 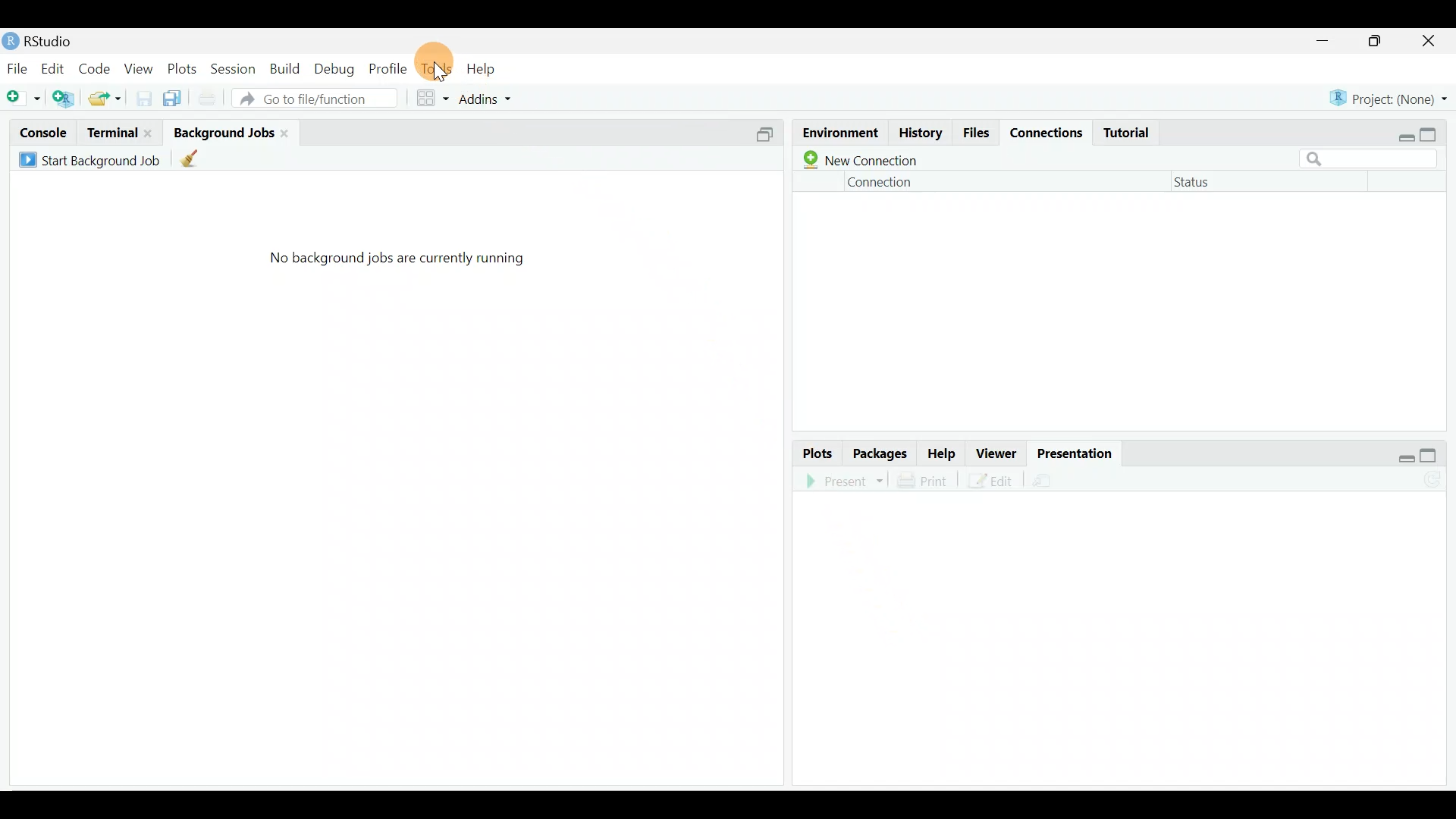 I want to click on Save all open documents, so click(x=170, y=101).